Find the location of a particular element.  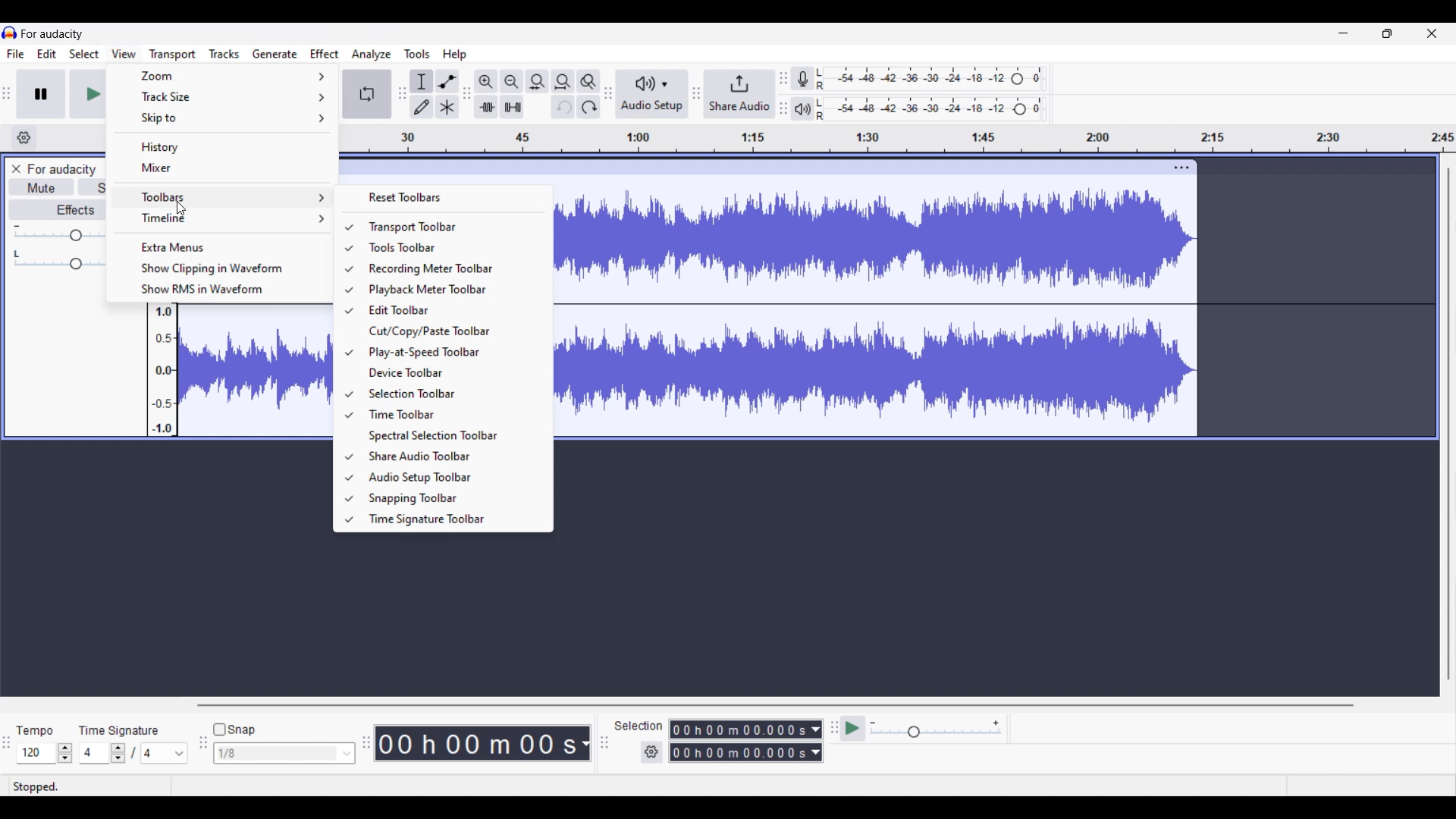

Tools toolbar is located at coordinates (451, 247).